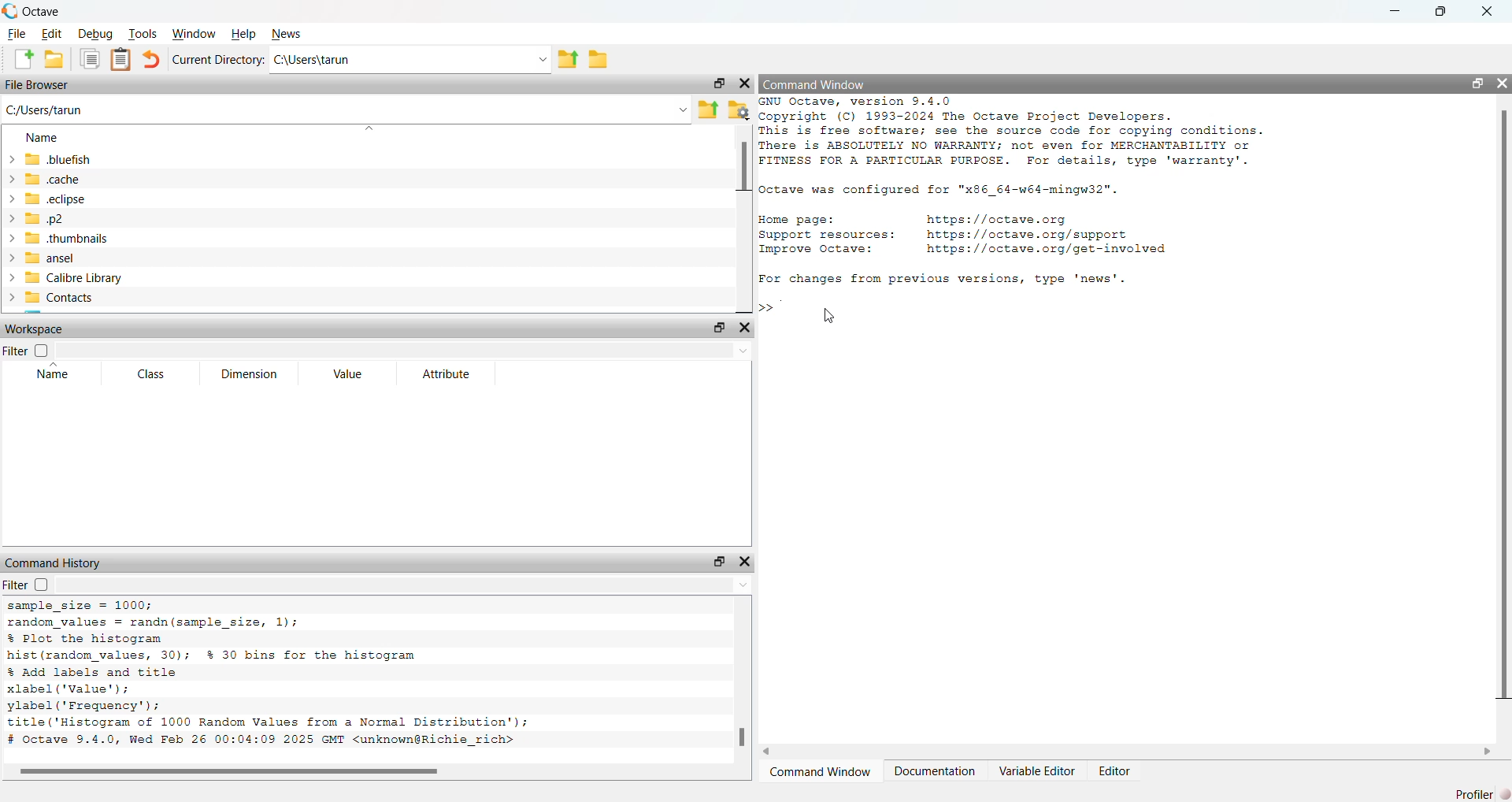 The height and width of the screenshot is (802, 1512). Describe the element at coordinates (1488, 12) in the screenshot. I see `close` at that location.